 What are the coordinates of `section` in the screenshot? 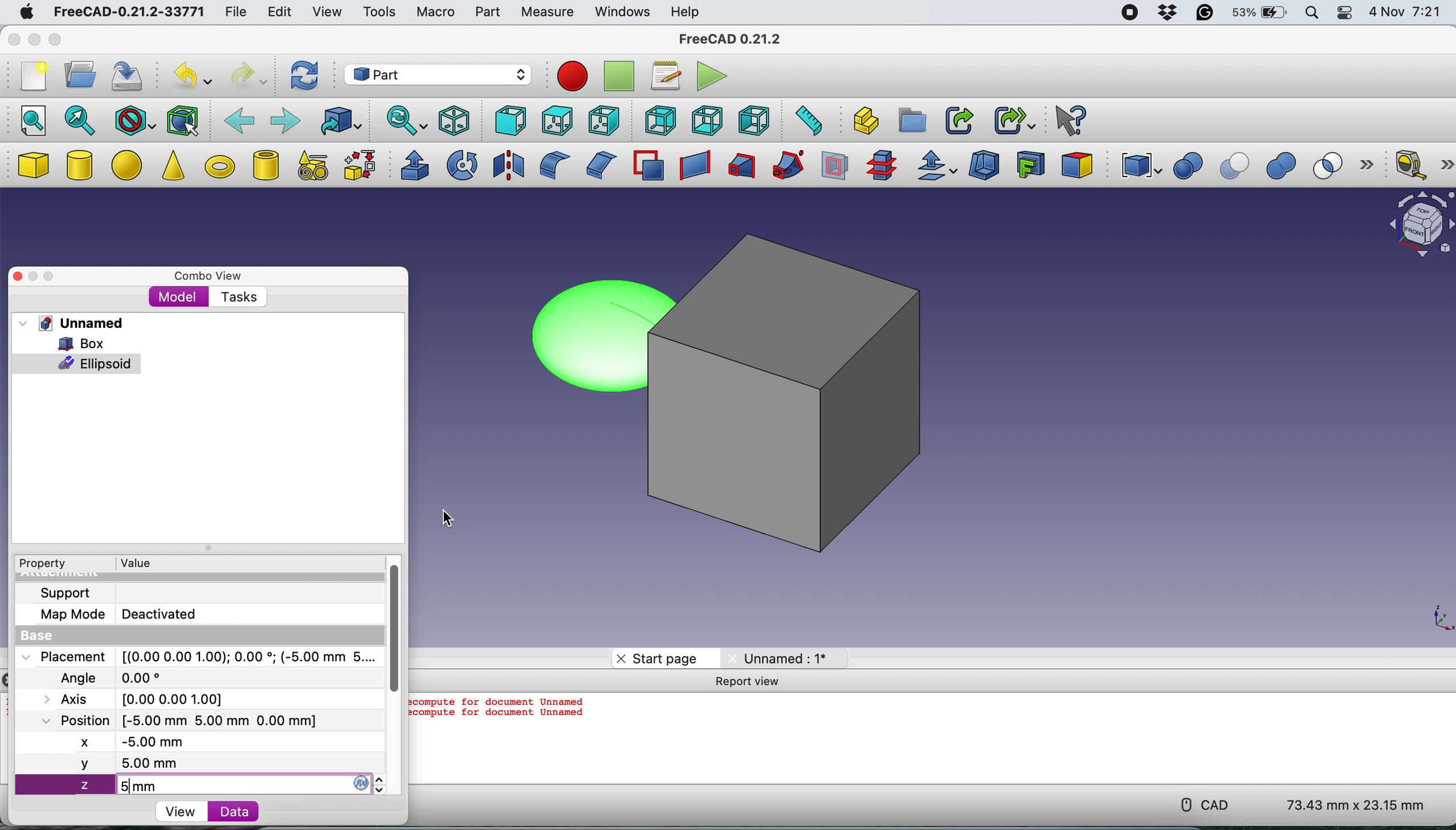 It's located at (835, 169).